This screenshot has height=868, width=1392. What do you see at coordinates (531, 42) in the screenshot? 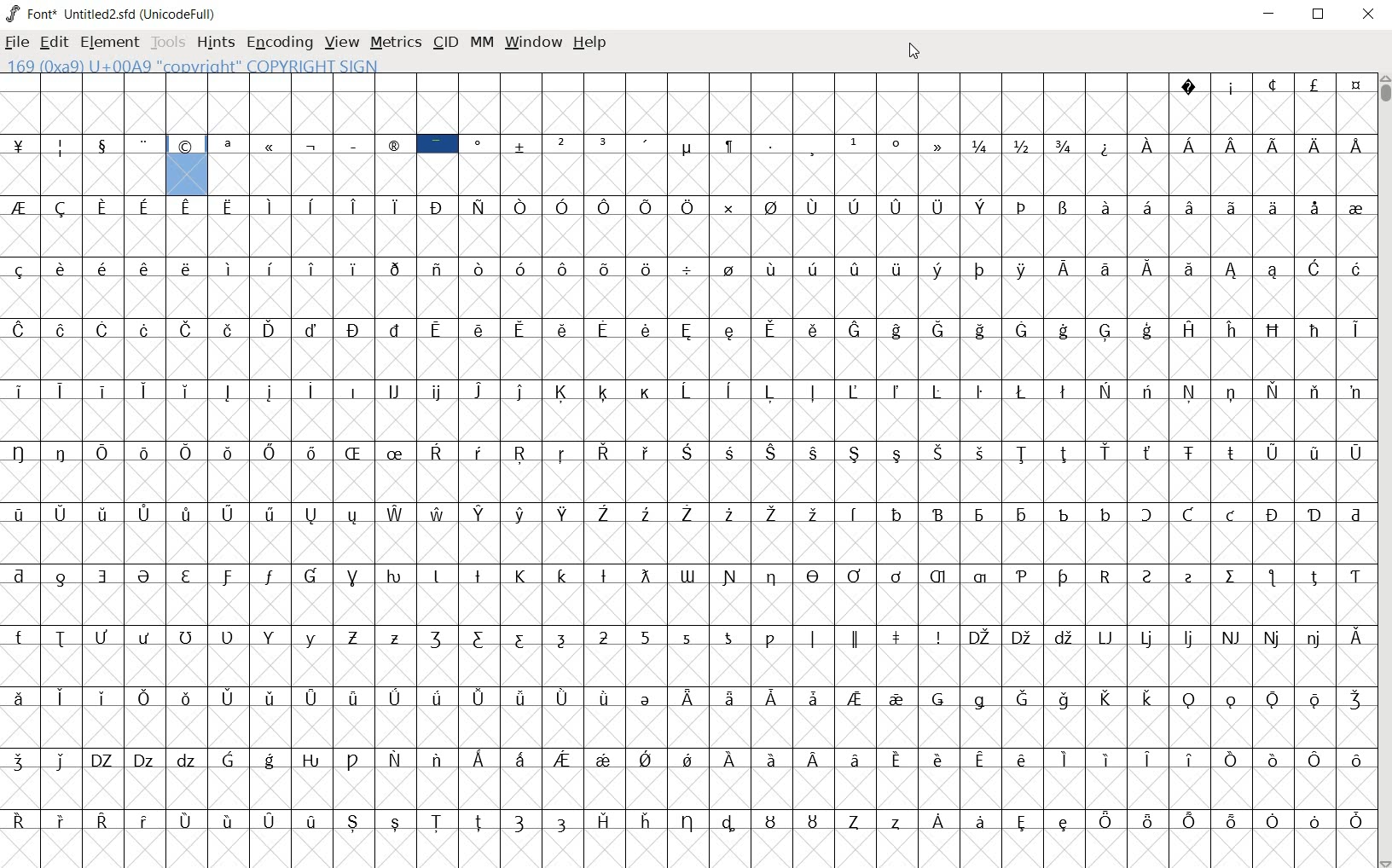
I see `window` at bounding box center [531, 42].